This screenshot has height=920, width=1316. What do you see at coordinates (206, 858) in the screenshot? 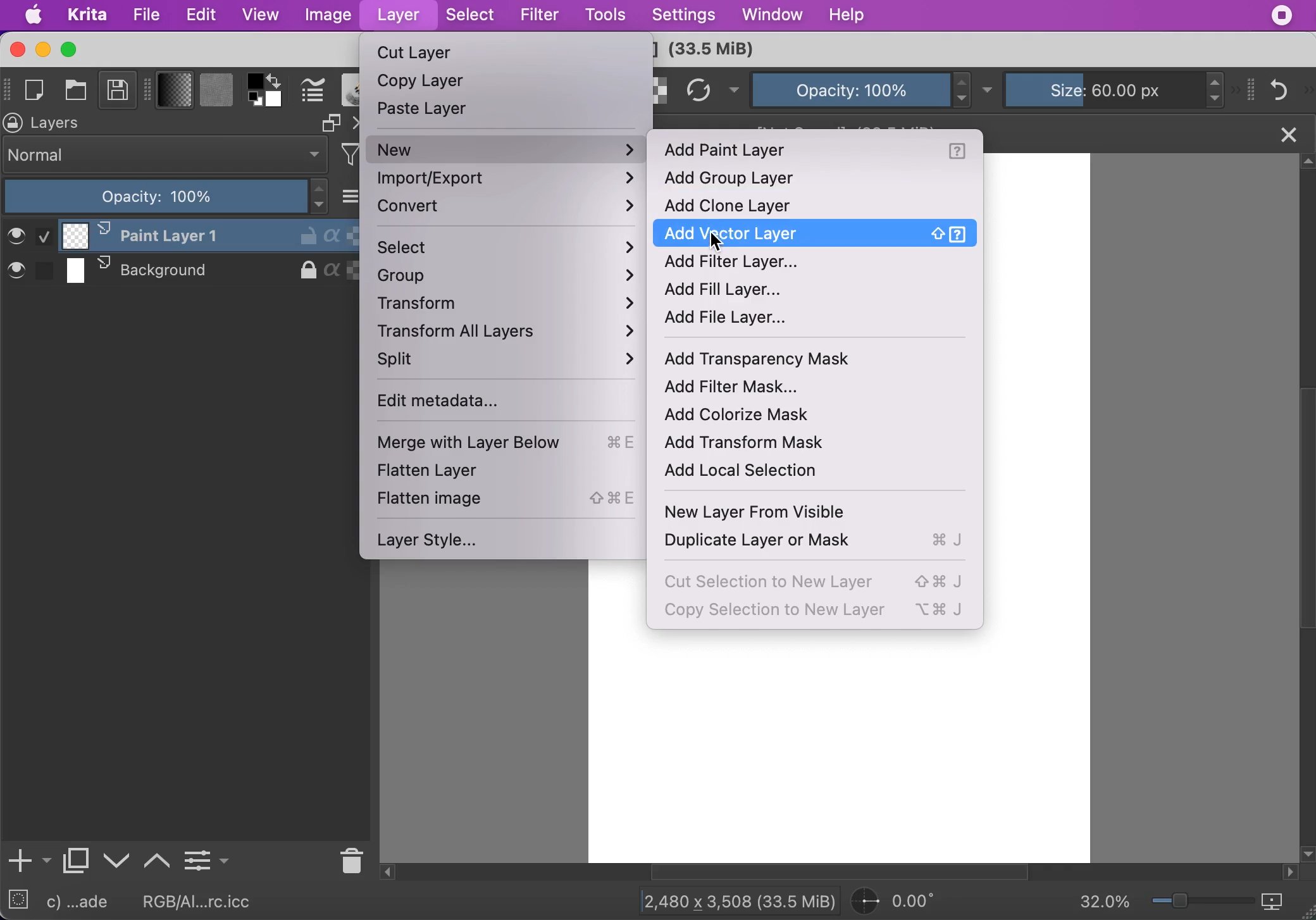
I see `view or change the layer properties` at bounding box center [206, 858].